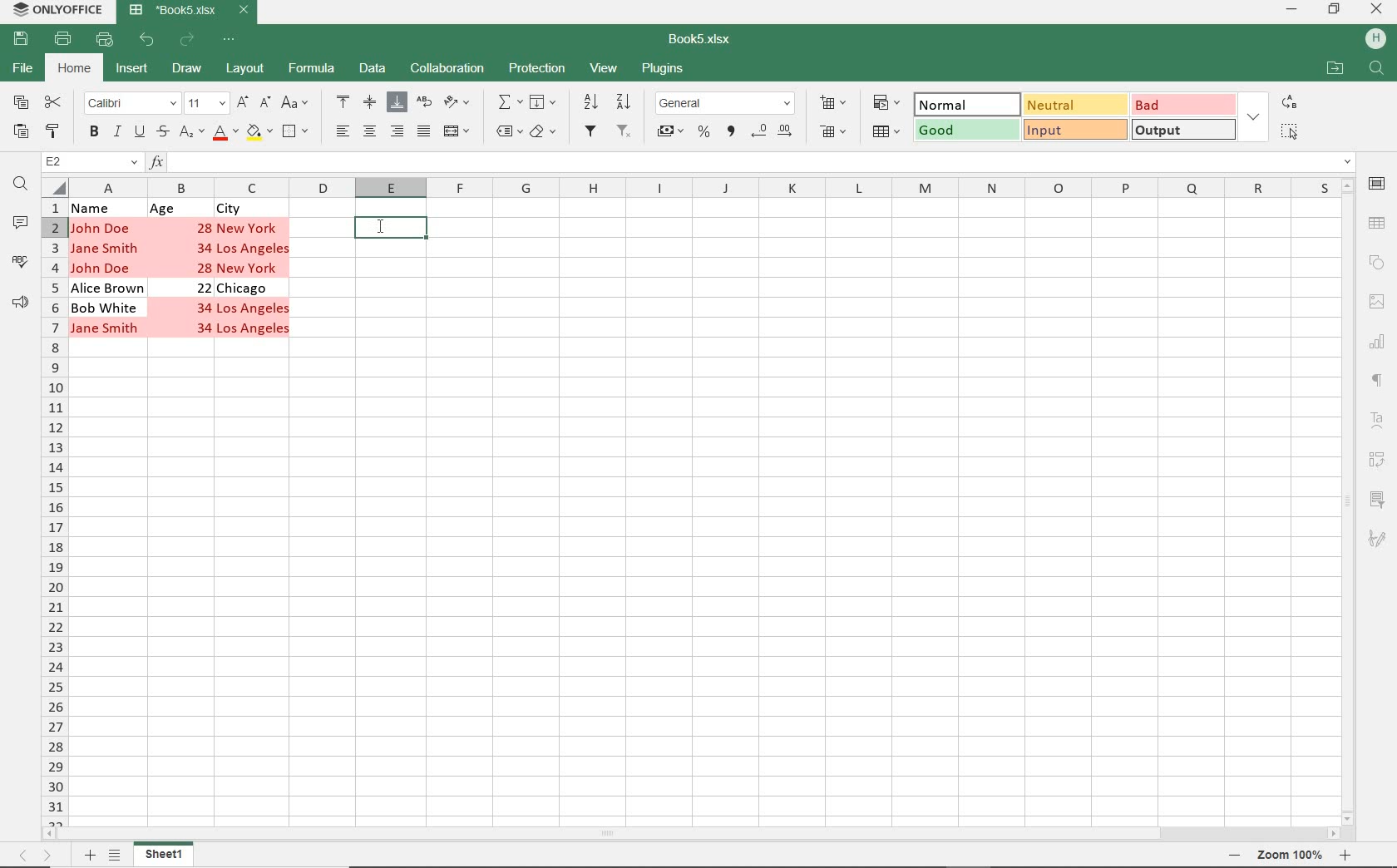 This screenshot has height=868, width=1397. Describe the element at coordinates (670, 132) in the screenshot. I see `ACCOUNT STYLE` at that location.